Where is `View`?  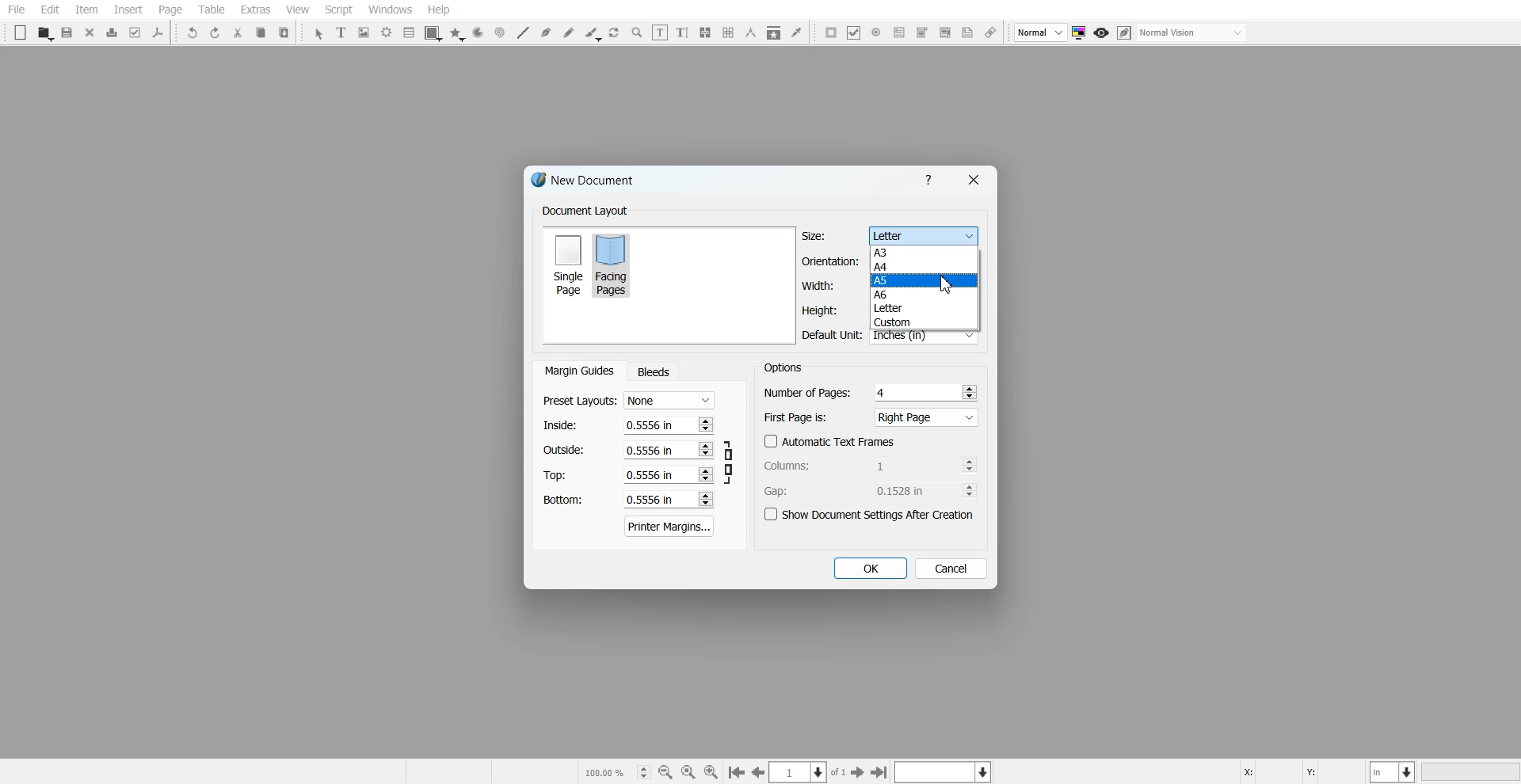
View is located at coordinates (297, 10).